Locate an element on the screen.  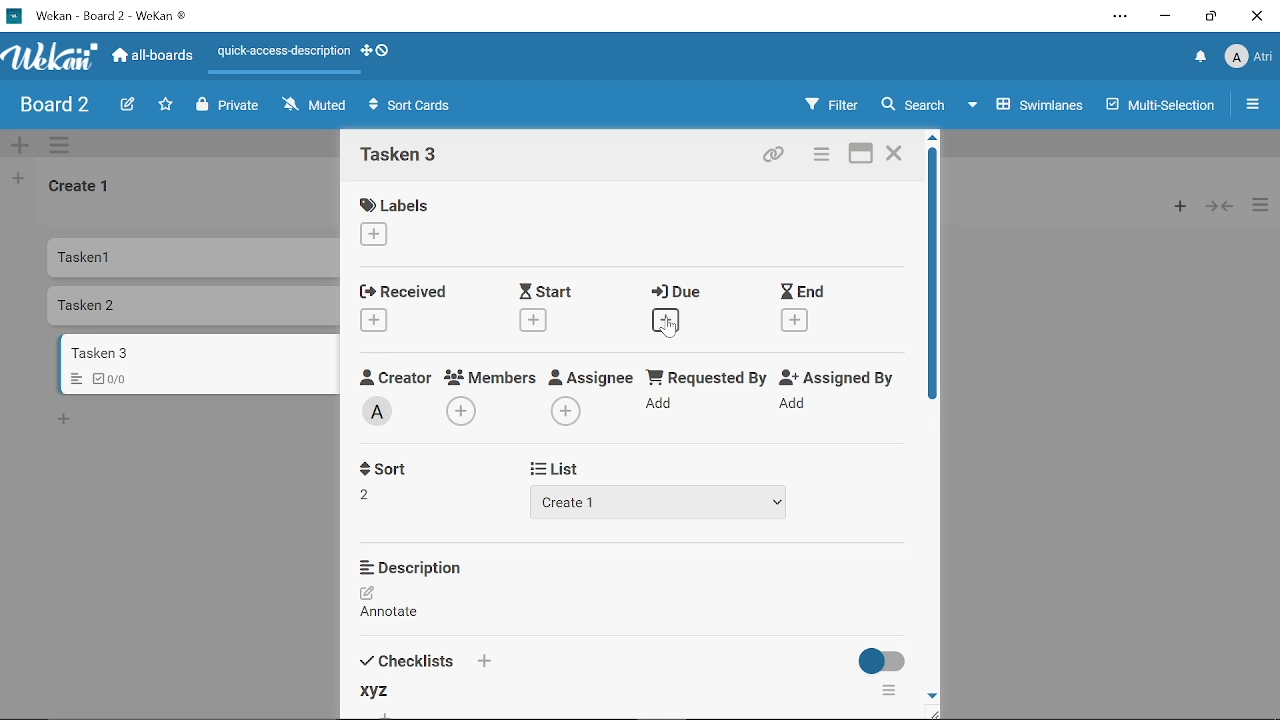
Multi-Selecttion is located at coordinates (1161, 106).